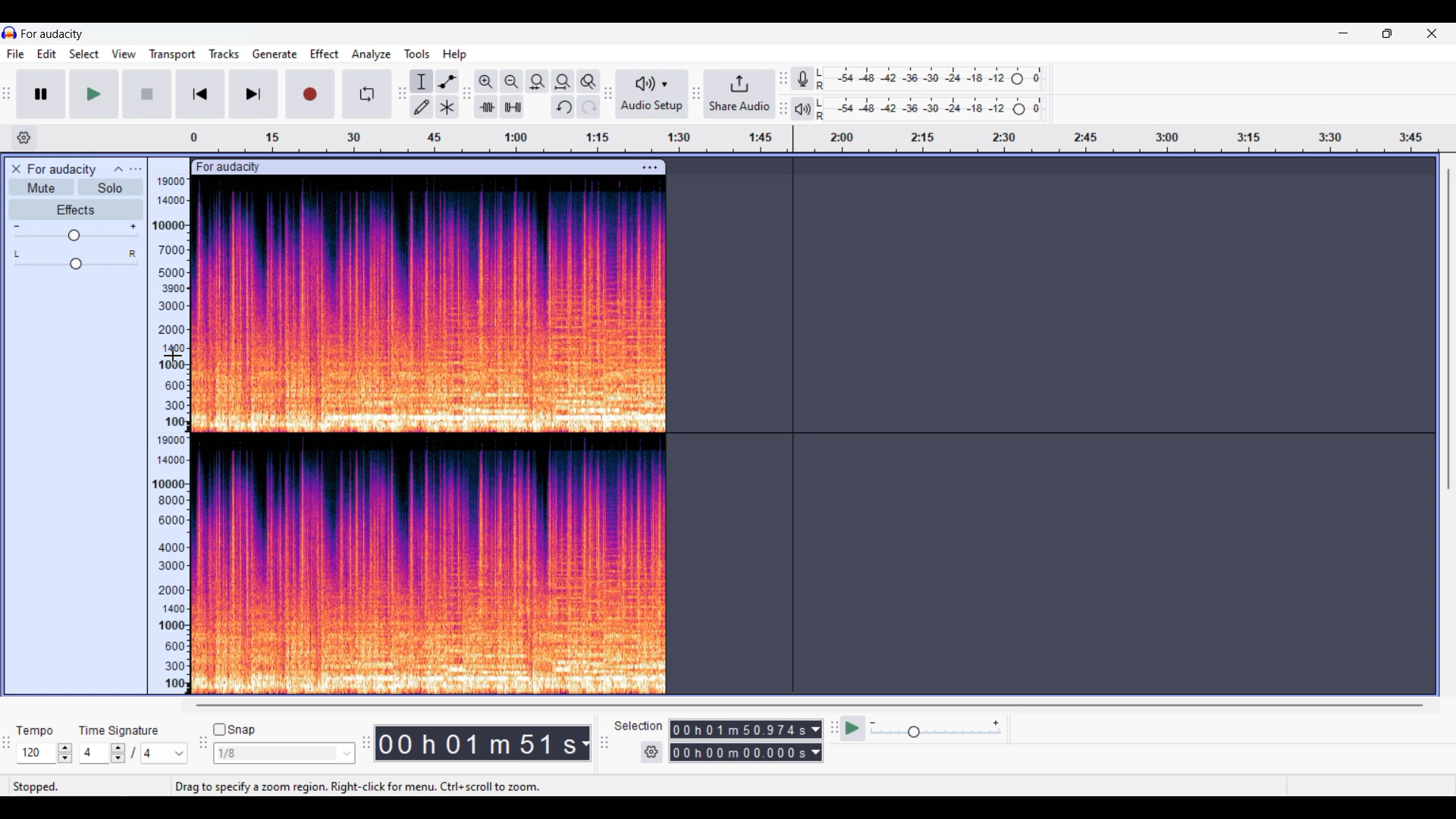 Image resolution: width=1456 pixels, height=819 pixels. Describe the element at coordinates (147, 94) in the screenshot. I see `Stop` at that location.